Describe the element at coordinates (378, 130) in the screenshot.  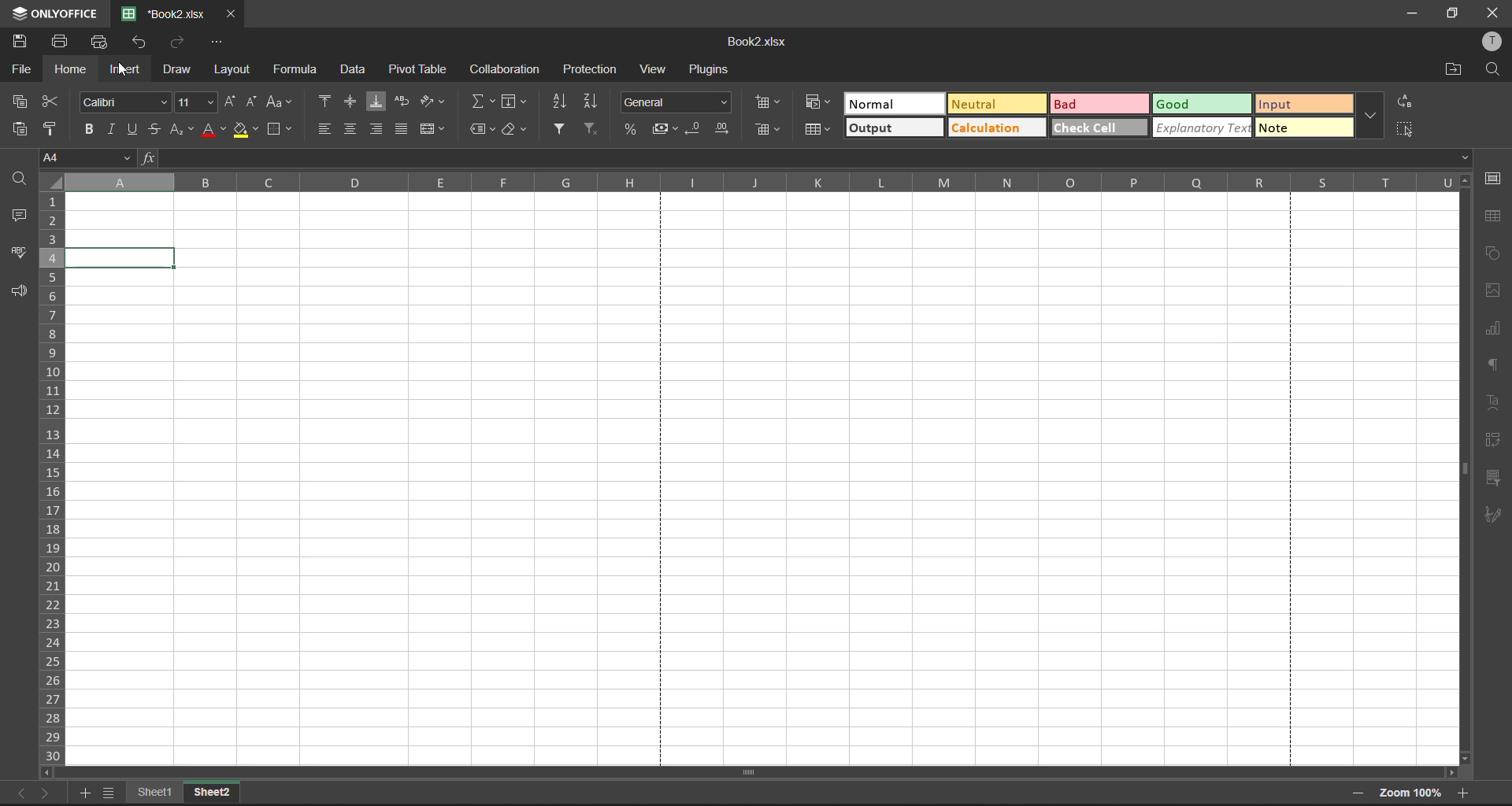
I see `align right` at that location.